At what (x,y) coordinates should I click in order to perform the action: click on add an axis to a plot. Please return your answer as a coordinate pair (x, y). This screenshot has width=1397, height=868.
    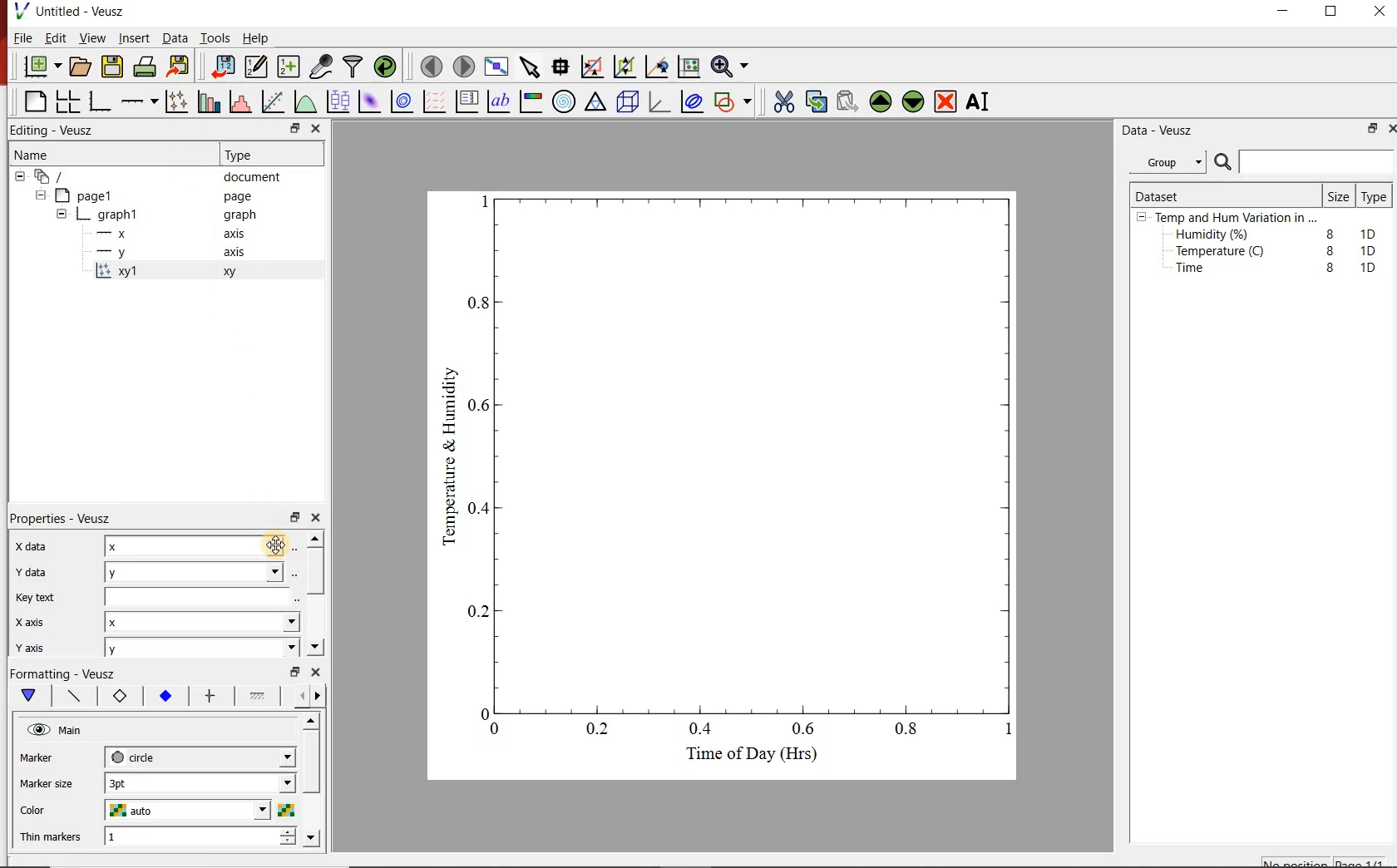
    Looking at the image, I should click on (141, 100).